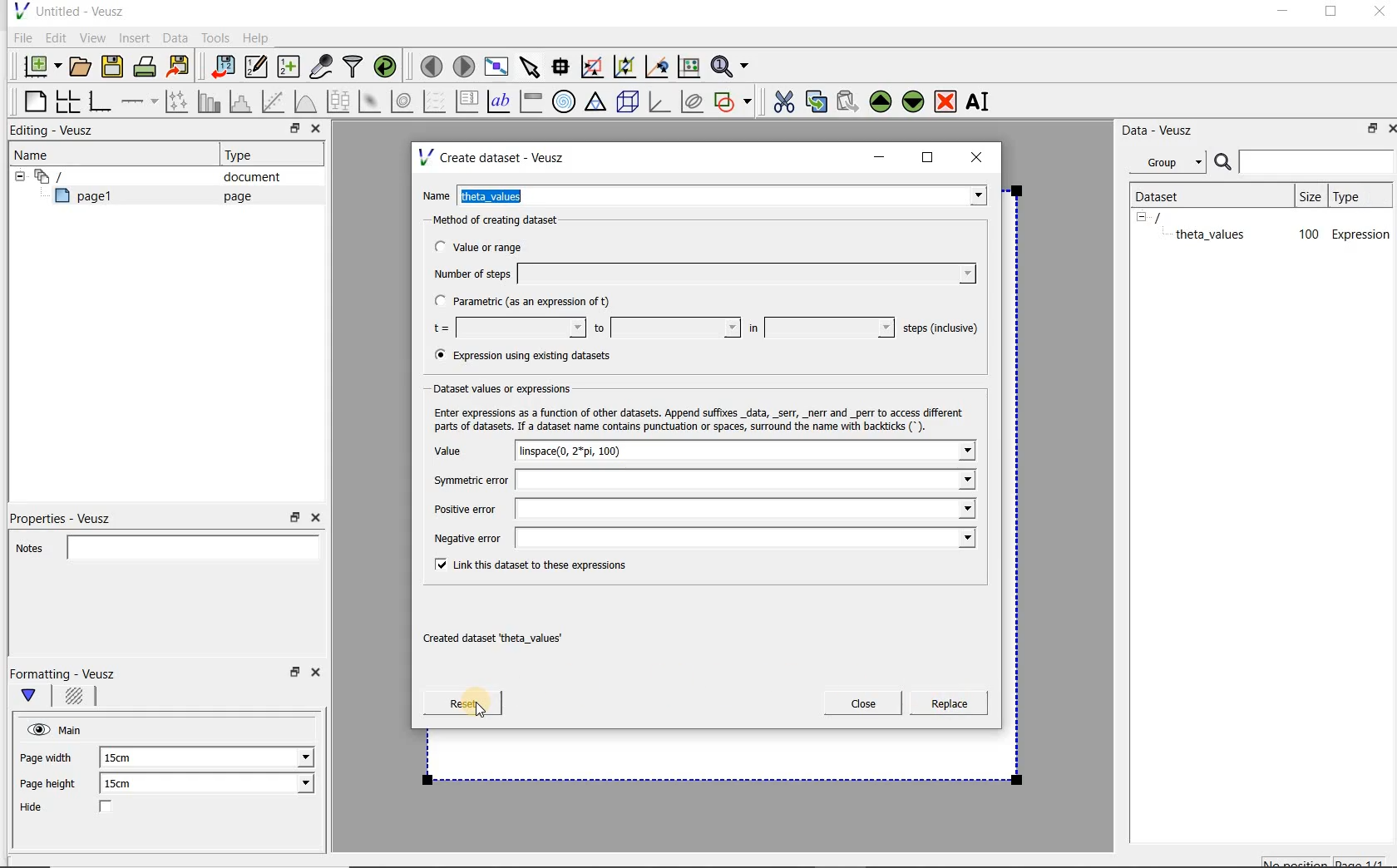 This screenshot has height=868, width=1397. I want to click on Untitled - Veusz, so click(67, 10).